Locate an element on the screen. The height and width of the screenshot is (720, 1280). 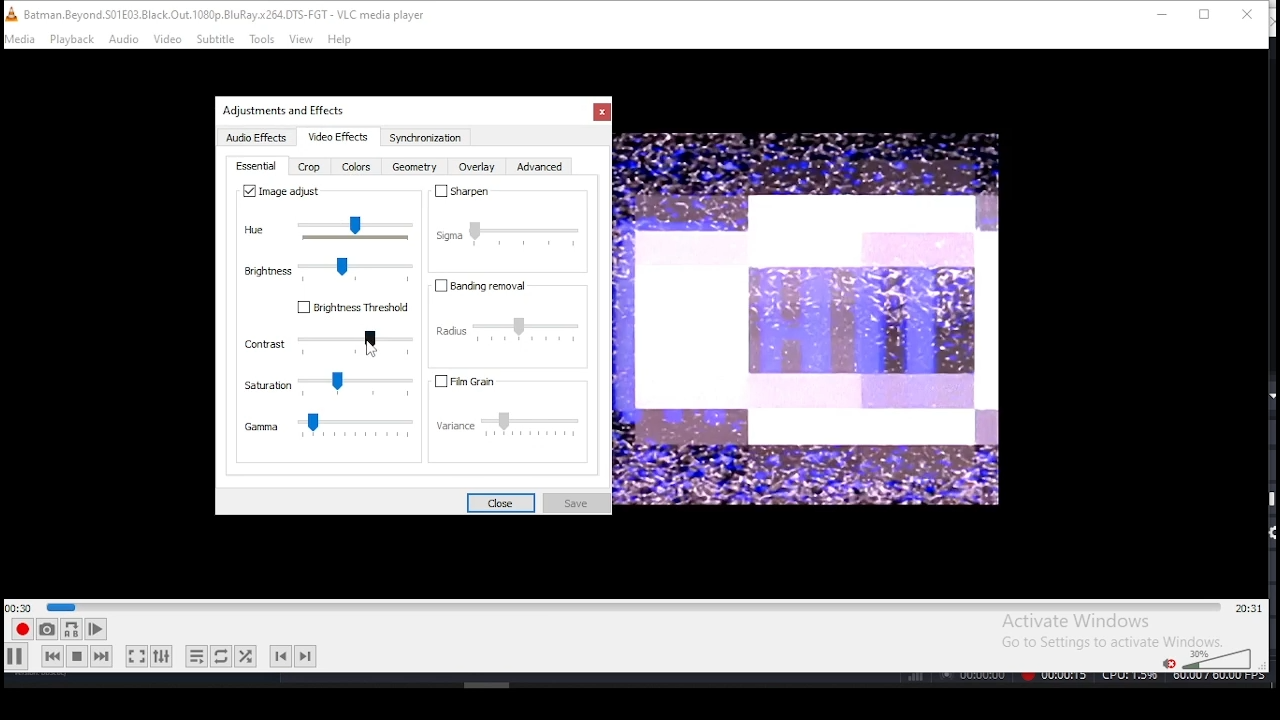
synchronization is located at coordinates (424, 138).